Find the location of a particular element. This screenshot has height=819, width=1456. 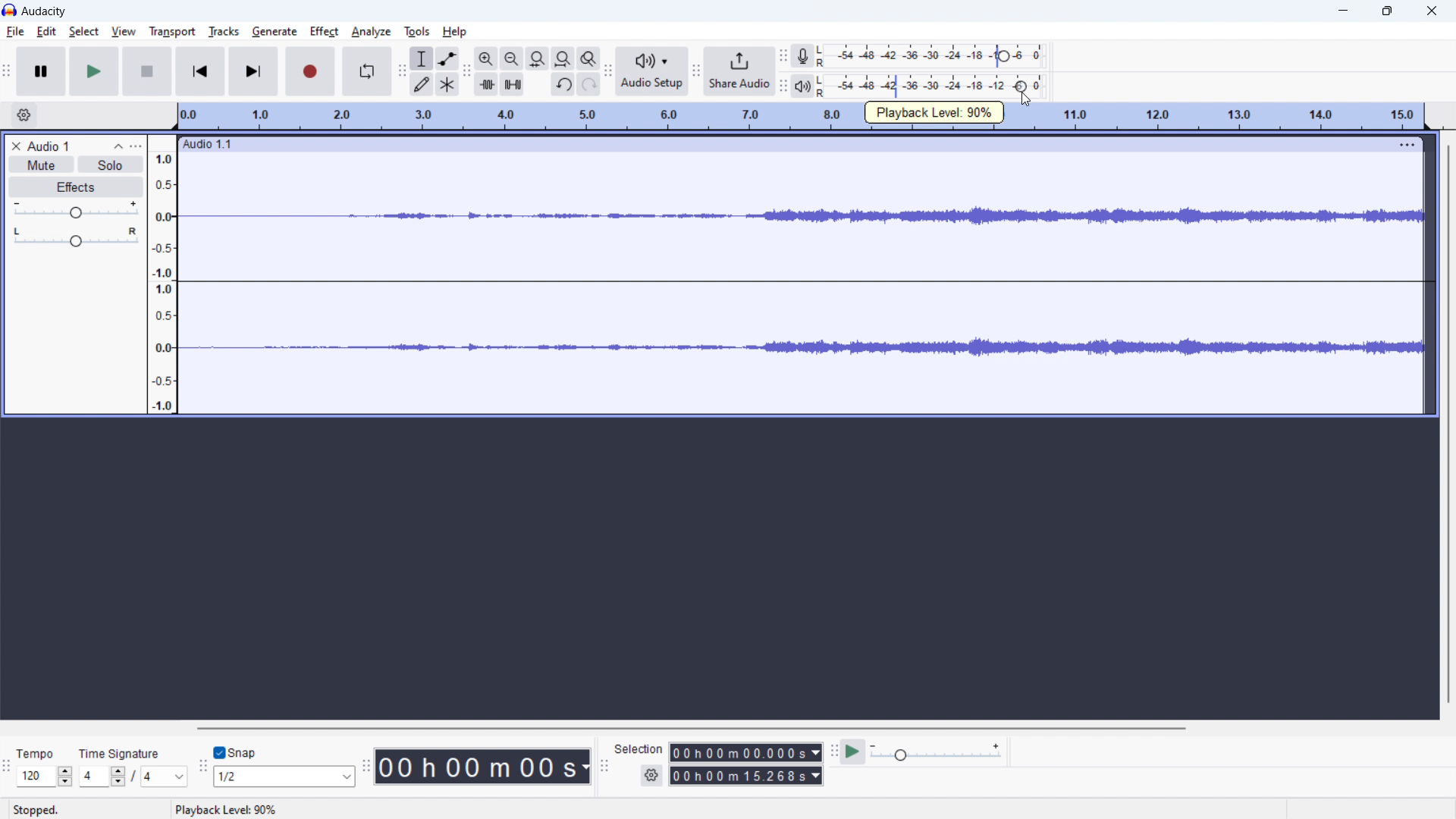

time toolbar is located at coordinates (366, 766).